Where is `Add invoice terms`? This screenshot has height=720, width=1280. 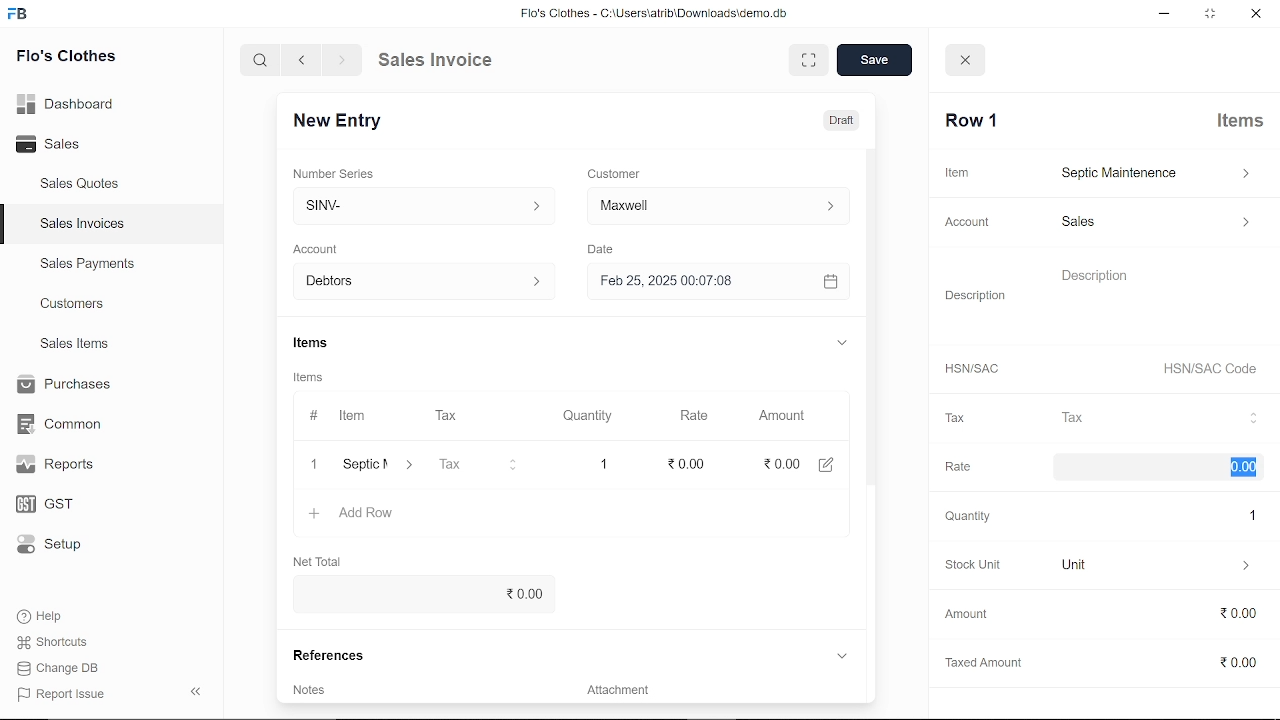
Add invoice terms is located at coordinates (320, 688).